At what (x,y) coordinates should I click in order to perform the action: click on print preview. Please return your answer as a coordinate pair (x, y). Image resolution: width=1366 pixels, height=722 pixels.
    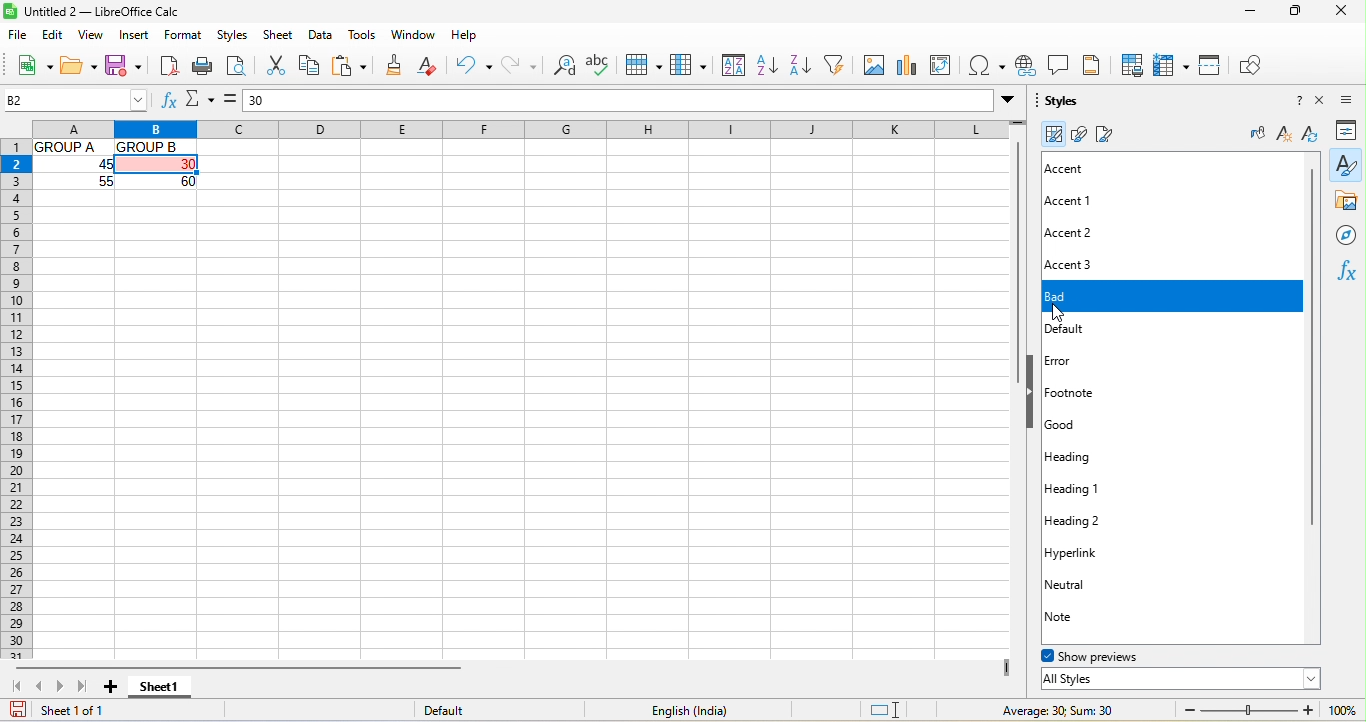
    Looking at the image, I should click on (236, 67).